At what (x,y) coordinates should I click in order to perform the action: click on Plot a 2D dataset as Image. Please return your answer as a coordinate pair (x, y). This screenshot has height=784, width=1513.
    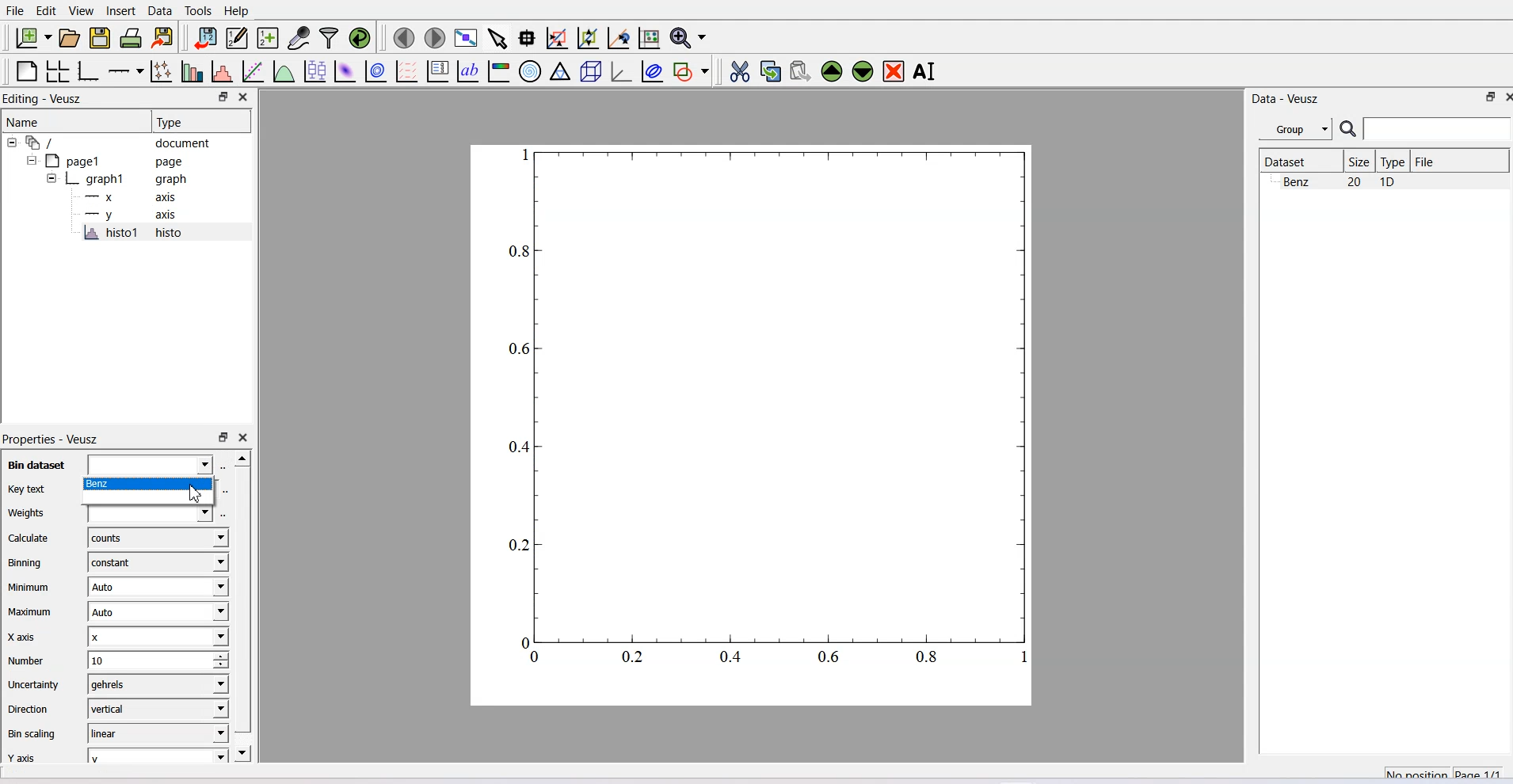
    Looking at the image, I should click on (345, 70).